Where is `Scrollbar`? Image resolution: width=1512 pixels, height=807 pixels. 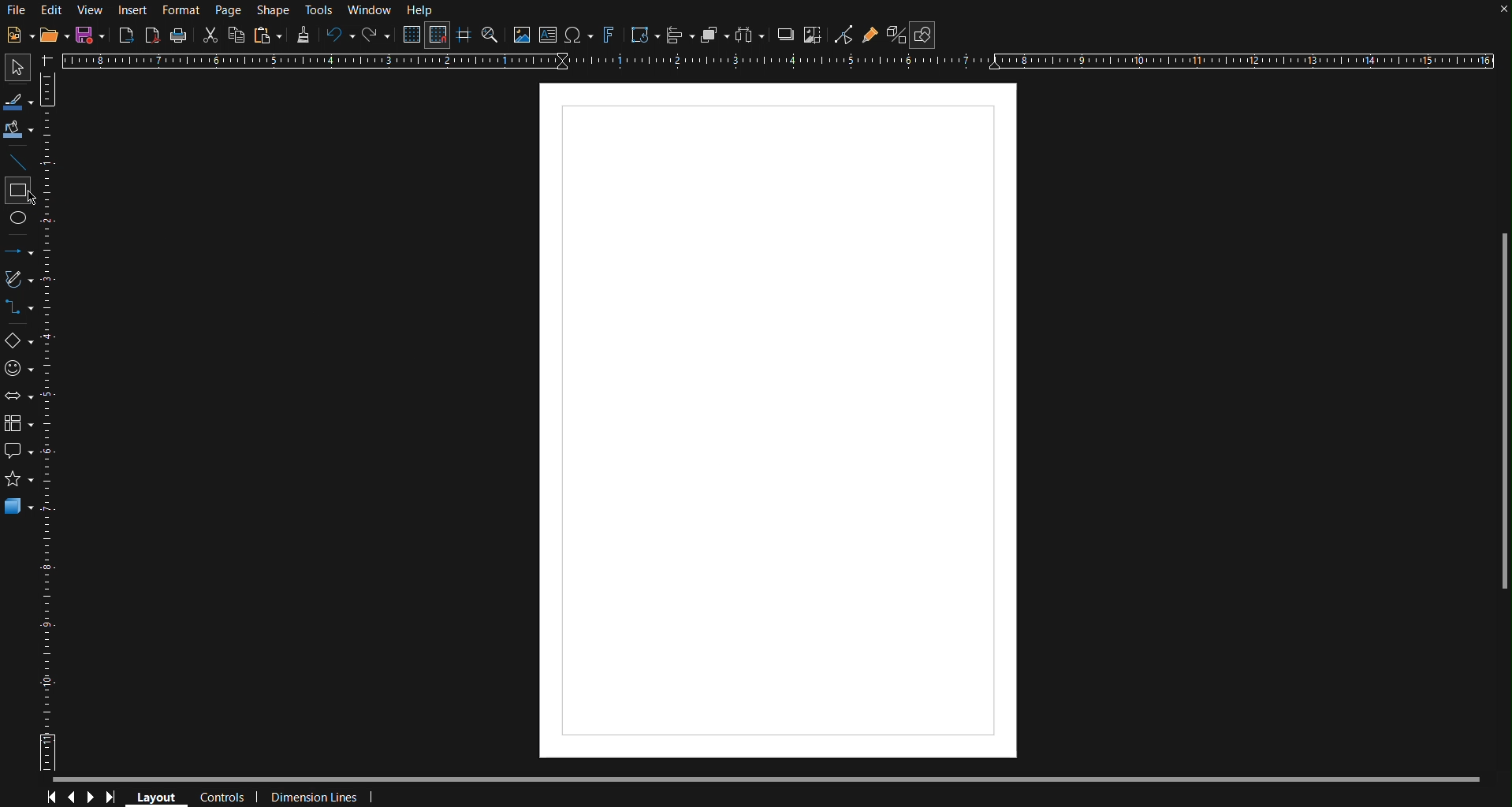 Scrollbar is located at coordinates (1503, 419).